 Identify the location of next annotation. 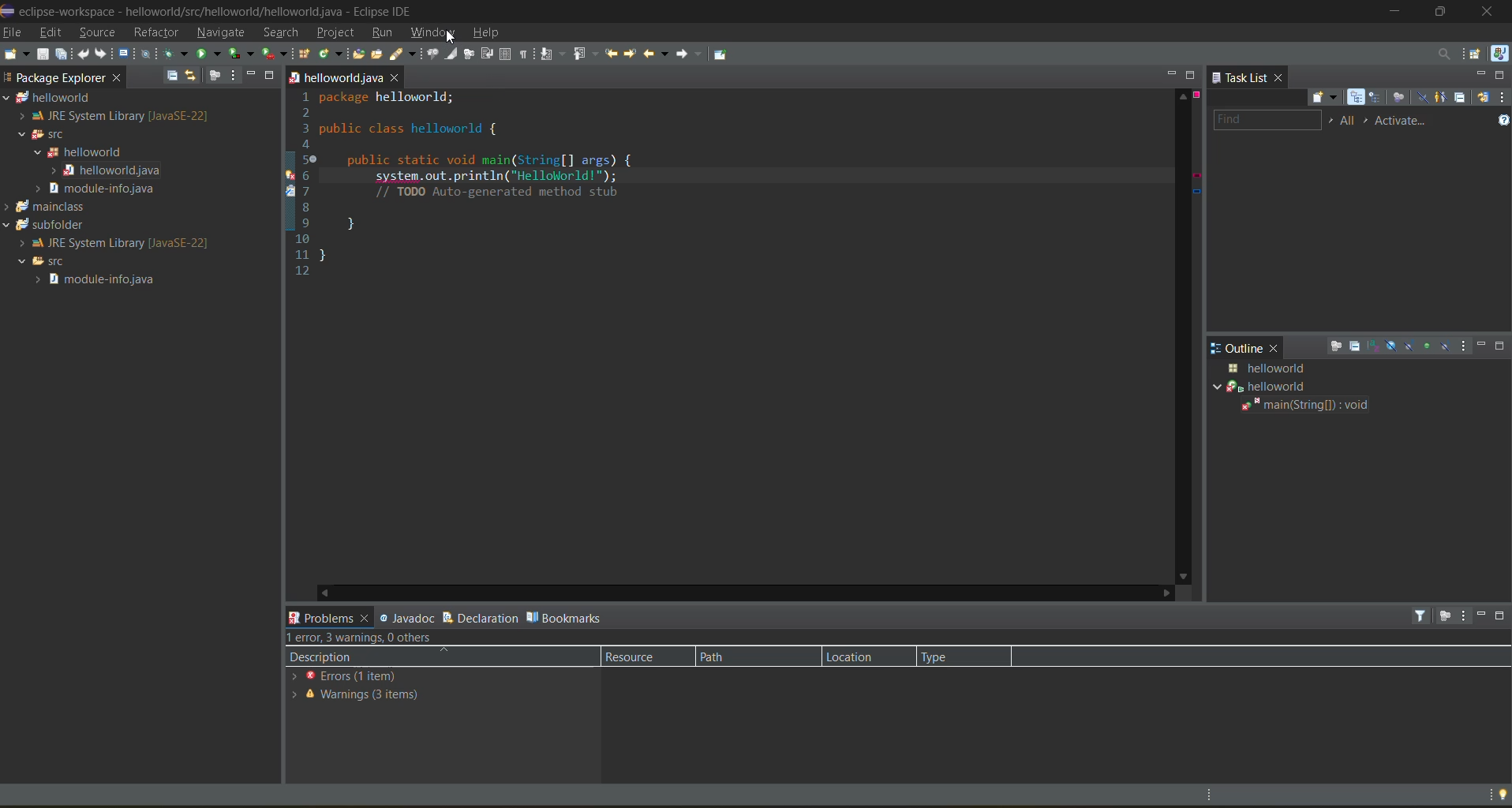
(555, 54).